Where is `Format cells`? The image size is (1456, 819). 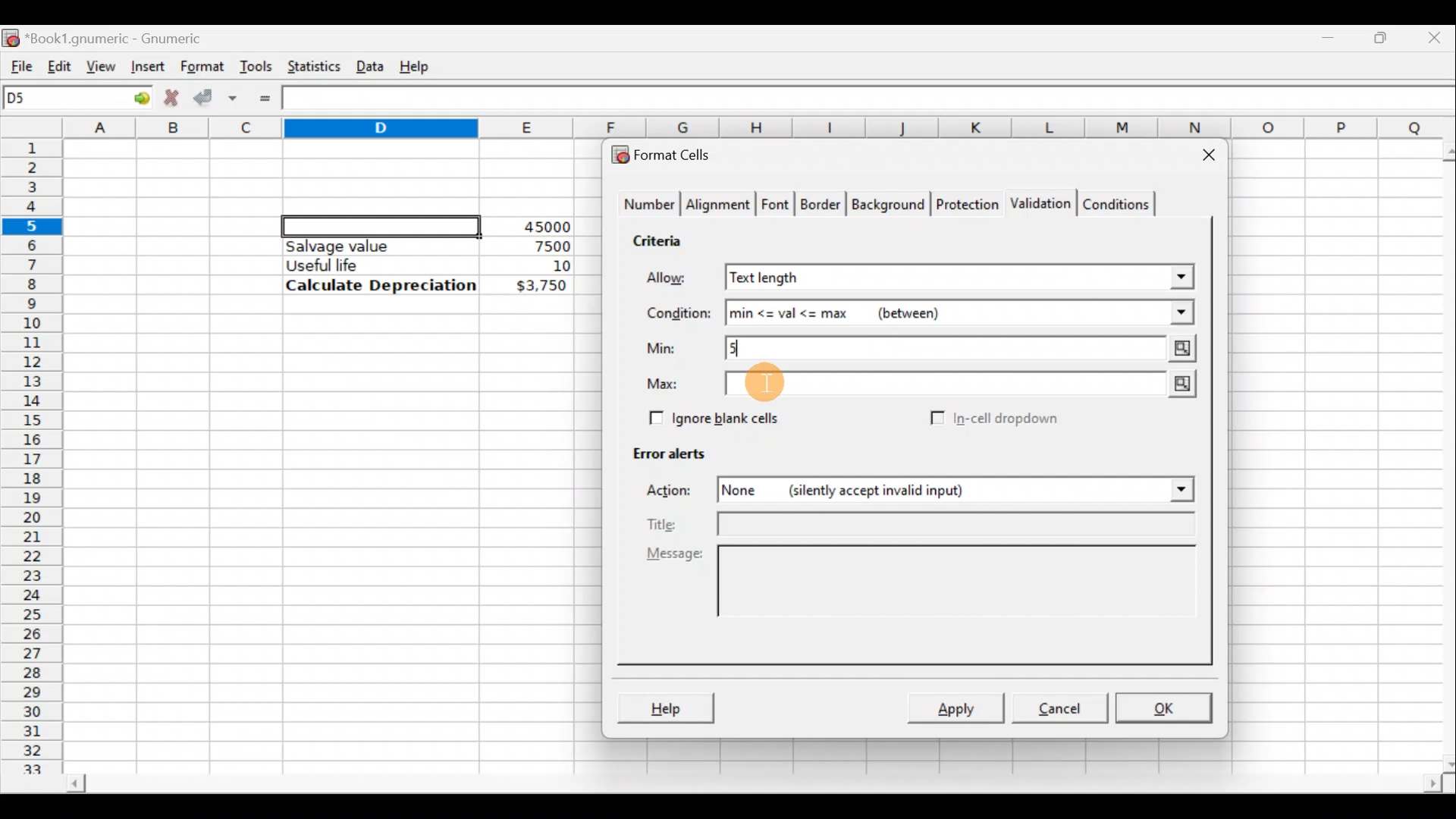 Format cells is located at coordinates (670, 152).